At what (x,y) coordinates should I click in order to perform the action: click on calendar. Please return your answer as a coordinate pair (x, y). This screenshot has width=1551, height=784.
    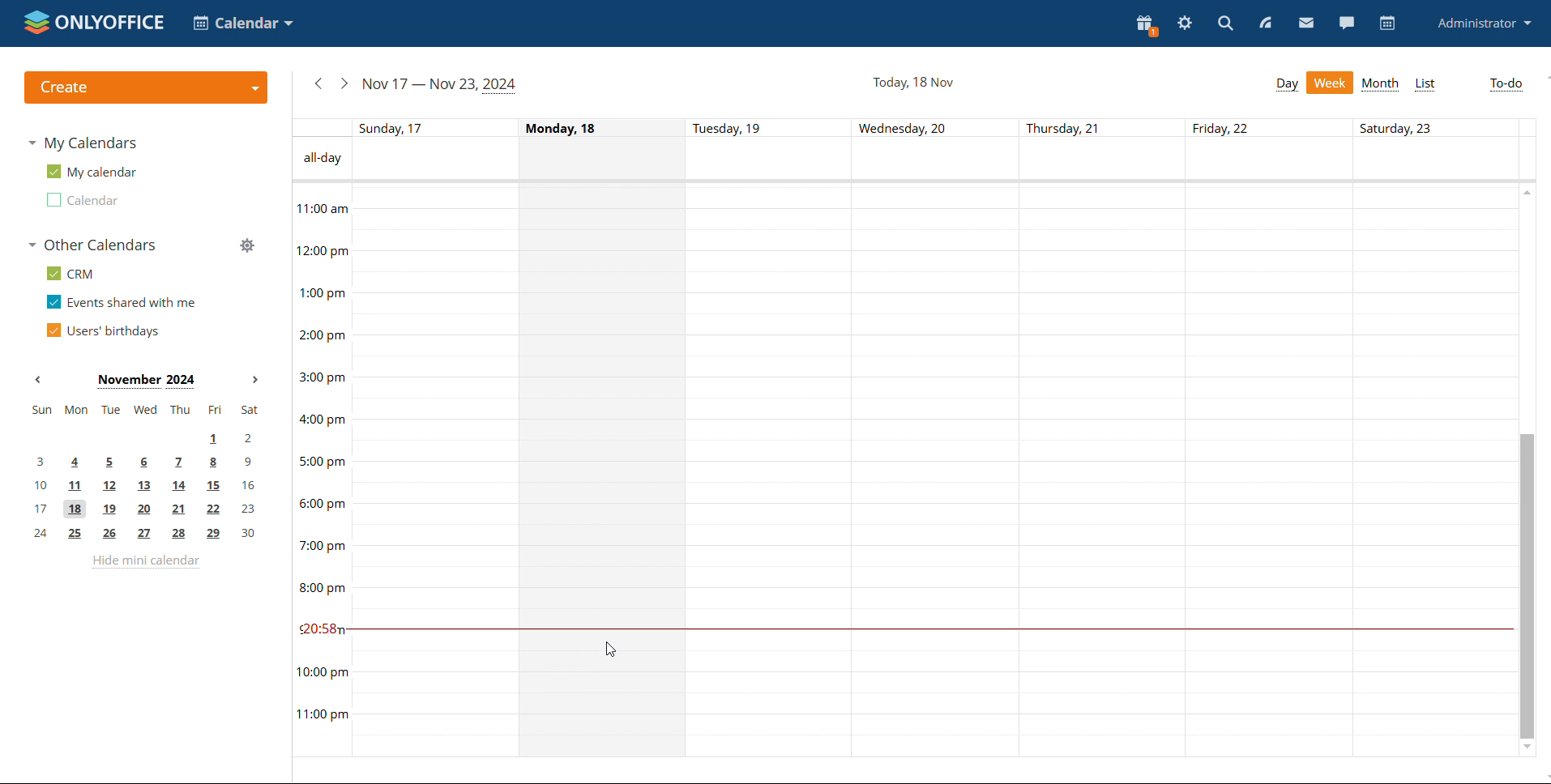
    Looking at the image, I should click on (1387, 23).